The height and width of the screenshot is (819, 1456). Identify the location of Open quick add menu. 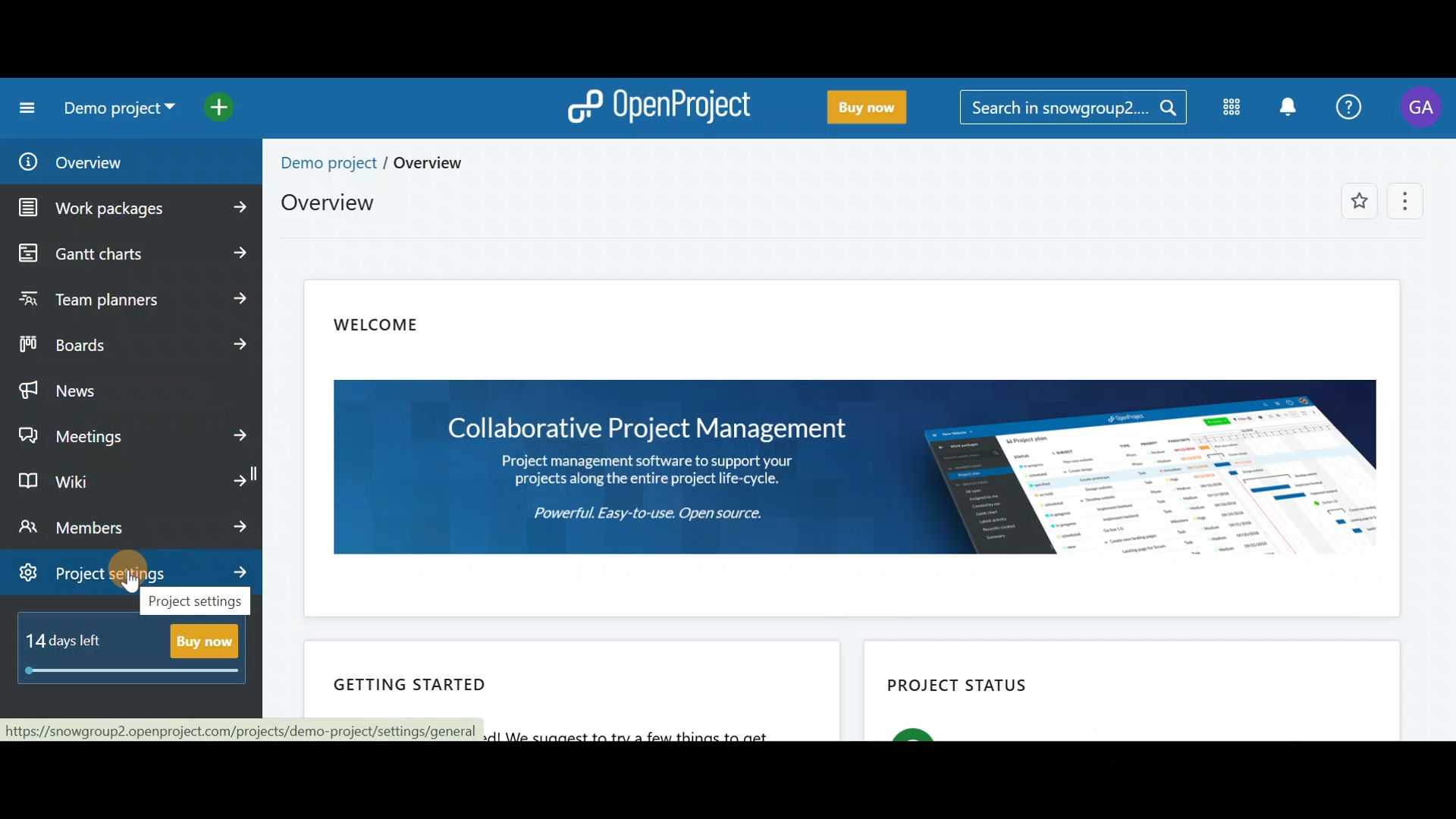
(223, 106).